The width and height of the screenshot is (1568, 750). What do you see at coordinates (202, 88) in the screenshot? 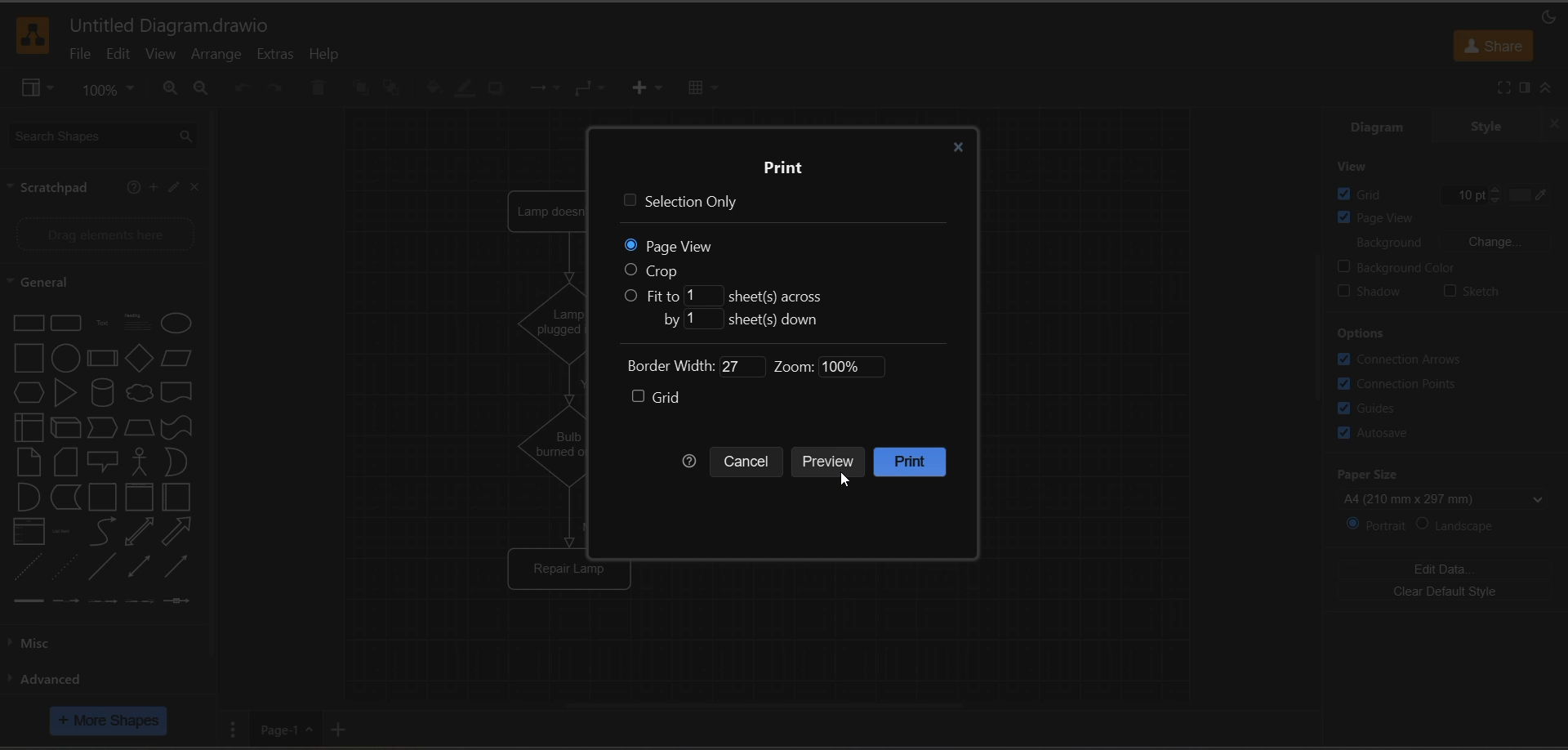
I see `zoom out` at bounding box center [202, 88].